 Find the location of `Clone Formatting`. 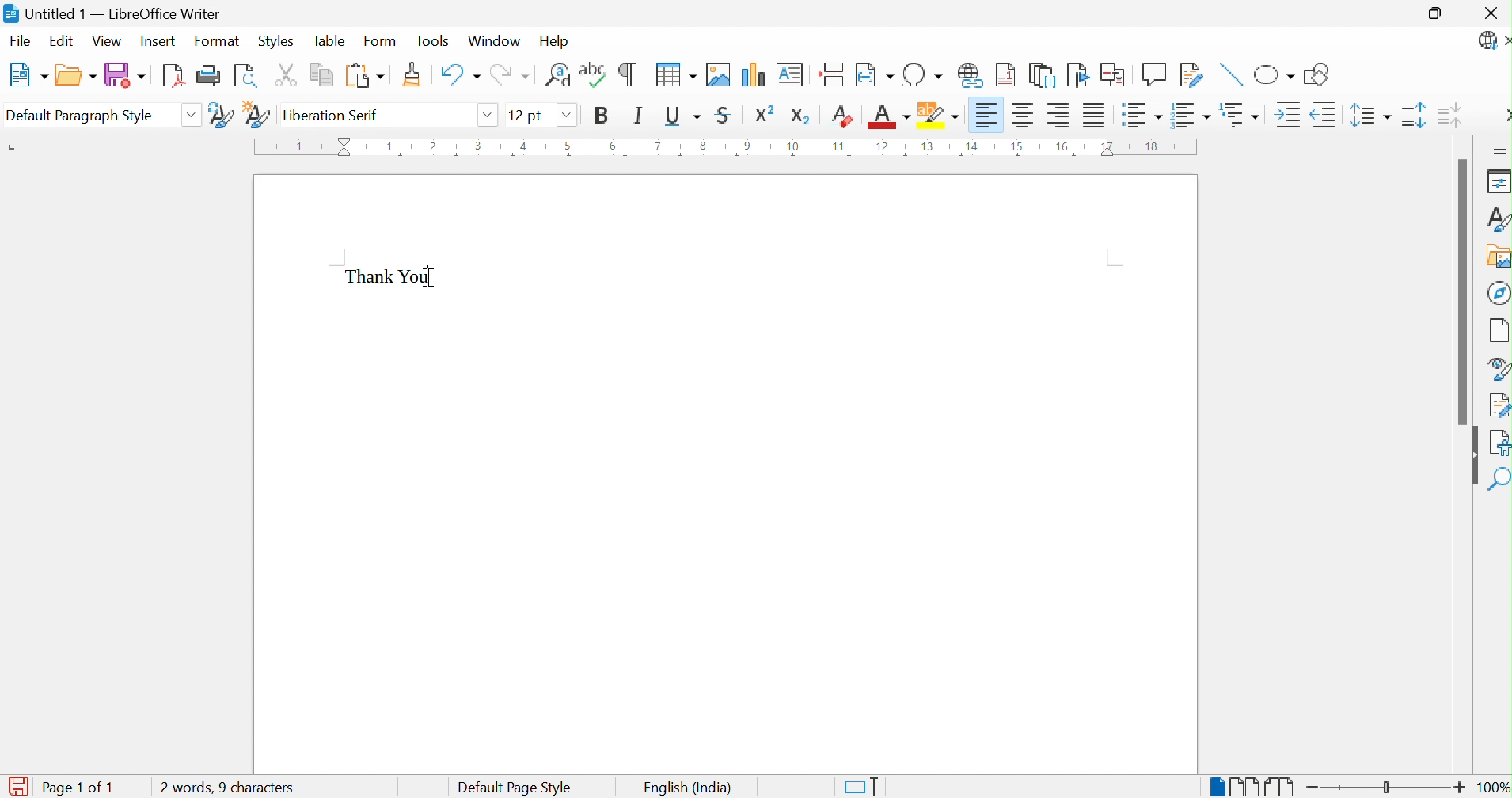

Clone Formatting is located at coordinates (412, 74).